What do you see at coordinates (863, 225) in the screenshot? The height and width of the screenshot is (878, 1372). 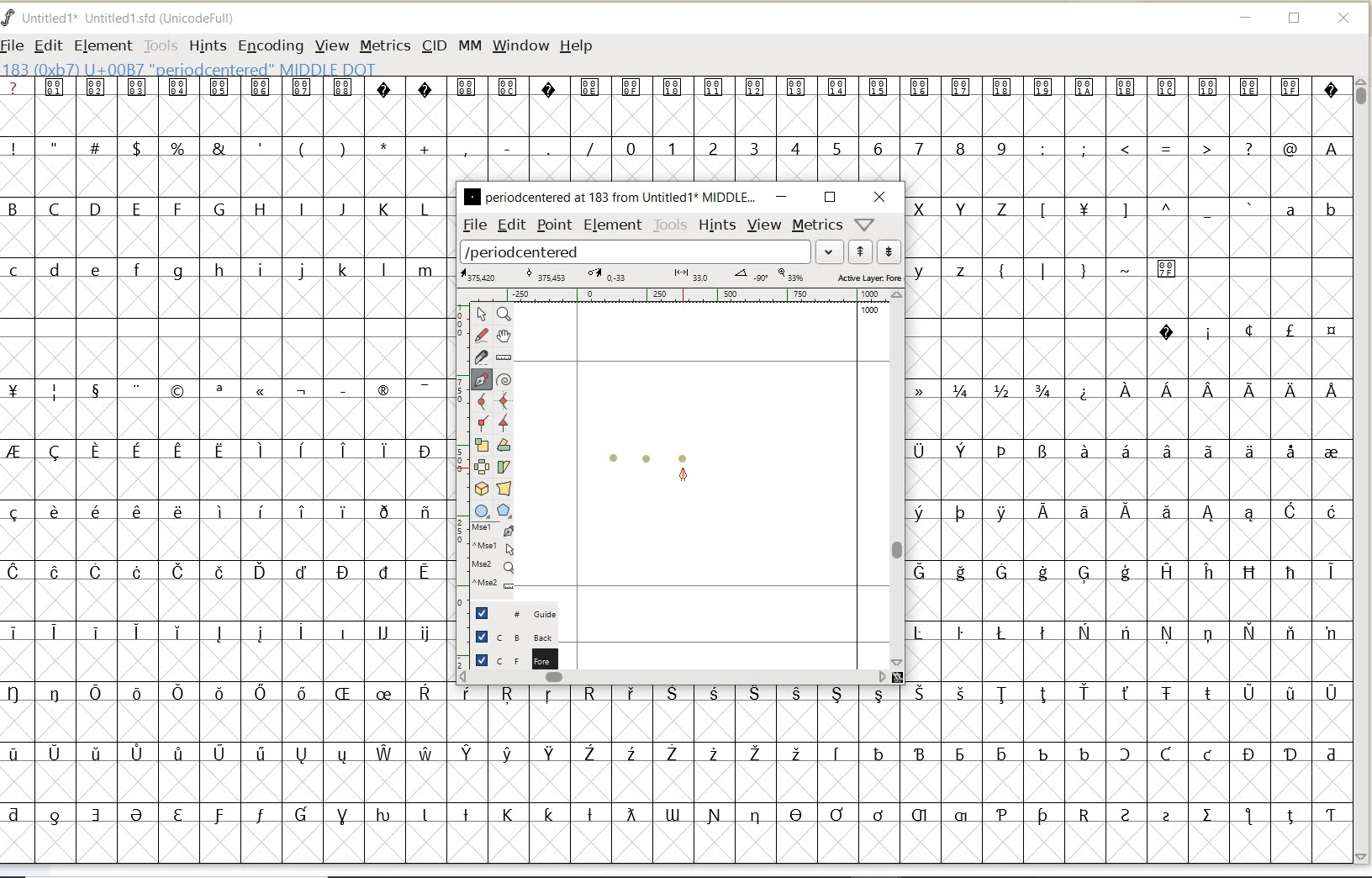 I see `help/window` at bounding box center [863, 225].